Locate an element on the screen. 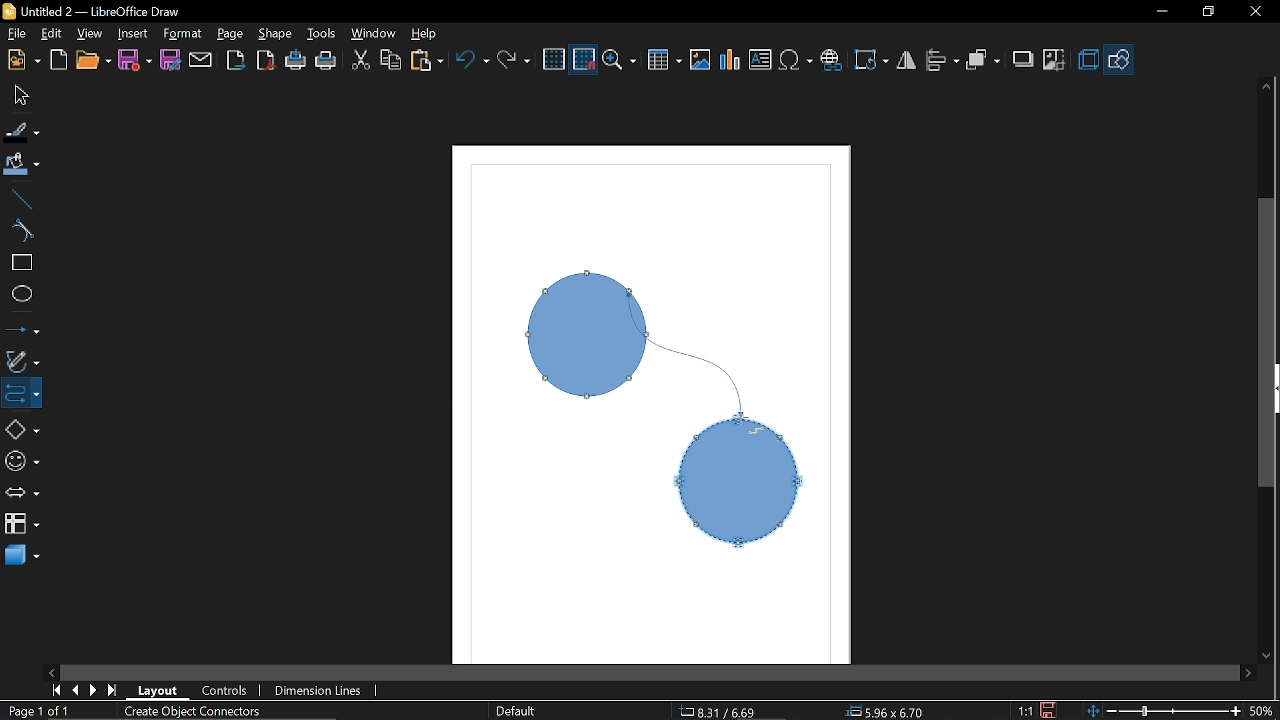  3d effects is located at coordinates (1090, 60).